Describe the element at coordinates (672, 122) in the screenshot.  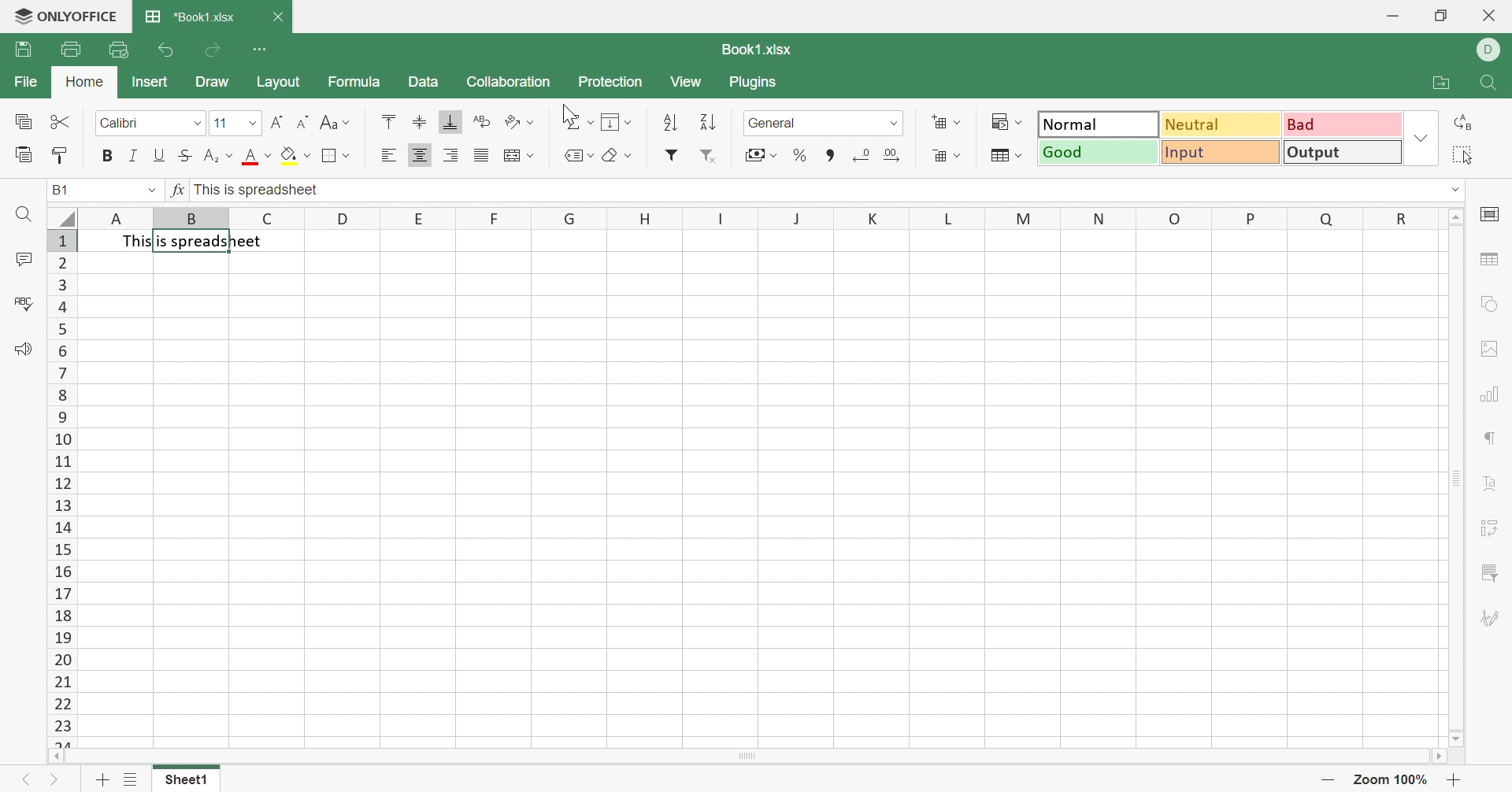
I see `Ascending order` at that location.